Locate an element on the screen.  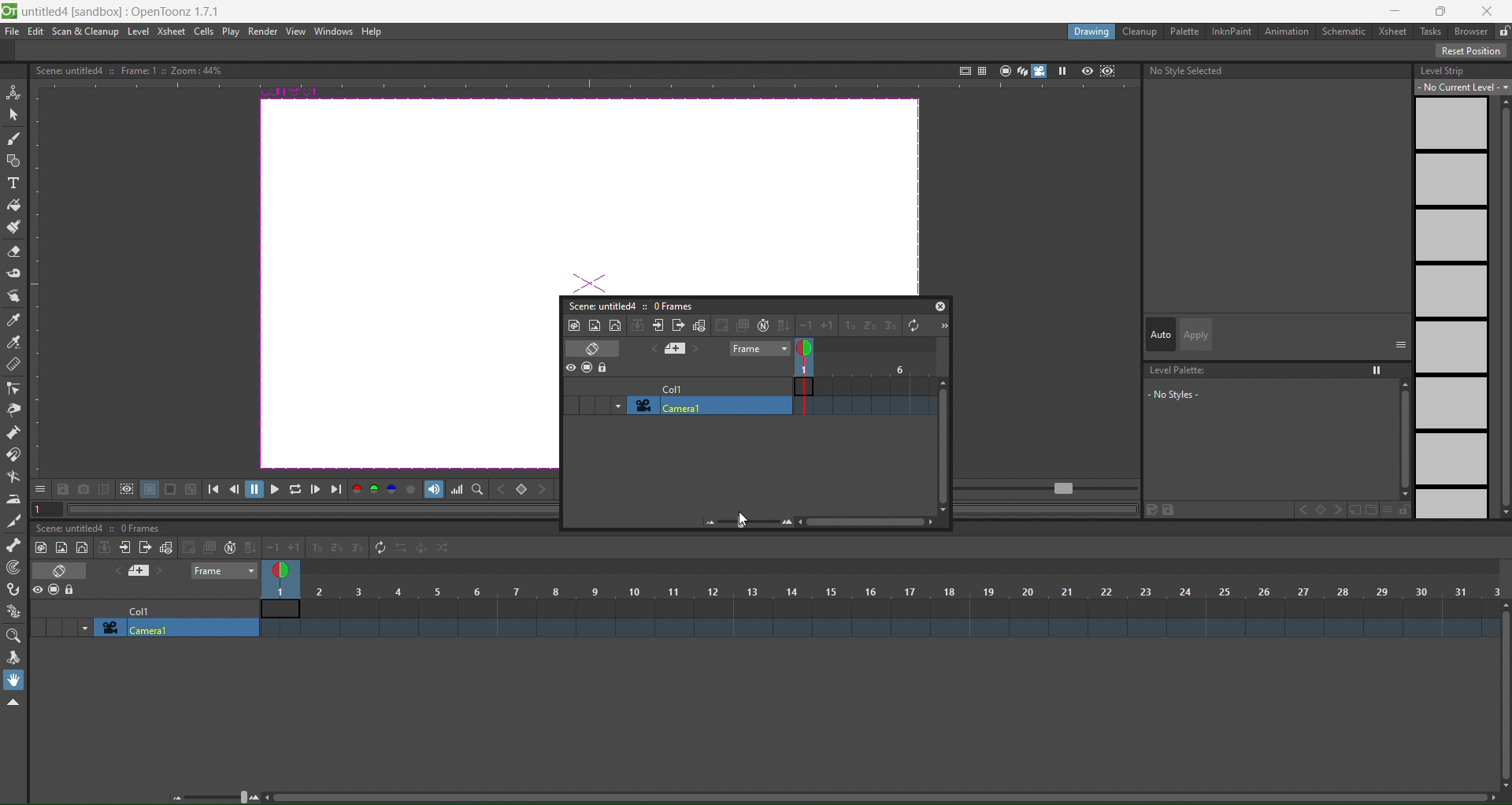
scan & cleanup is located at coordinates (86, 32).